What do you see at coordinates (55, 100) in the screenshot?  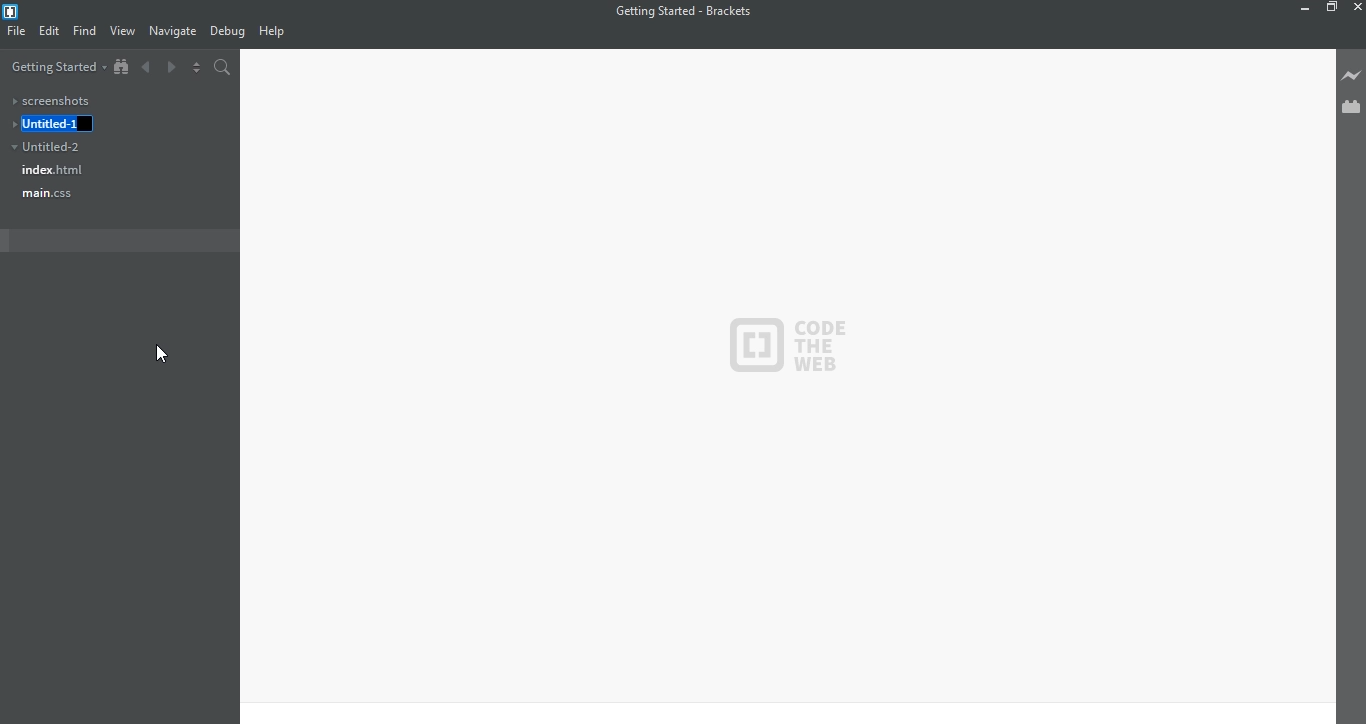 I see `screenshots` at bounding box center [55, 100].